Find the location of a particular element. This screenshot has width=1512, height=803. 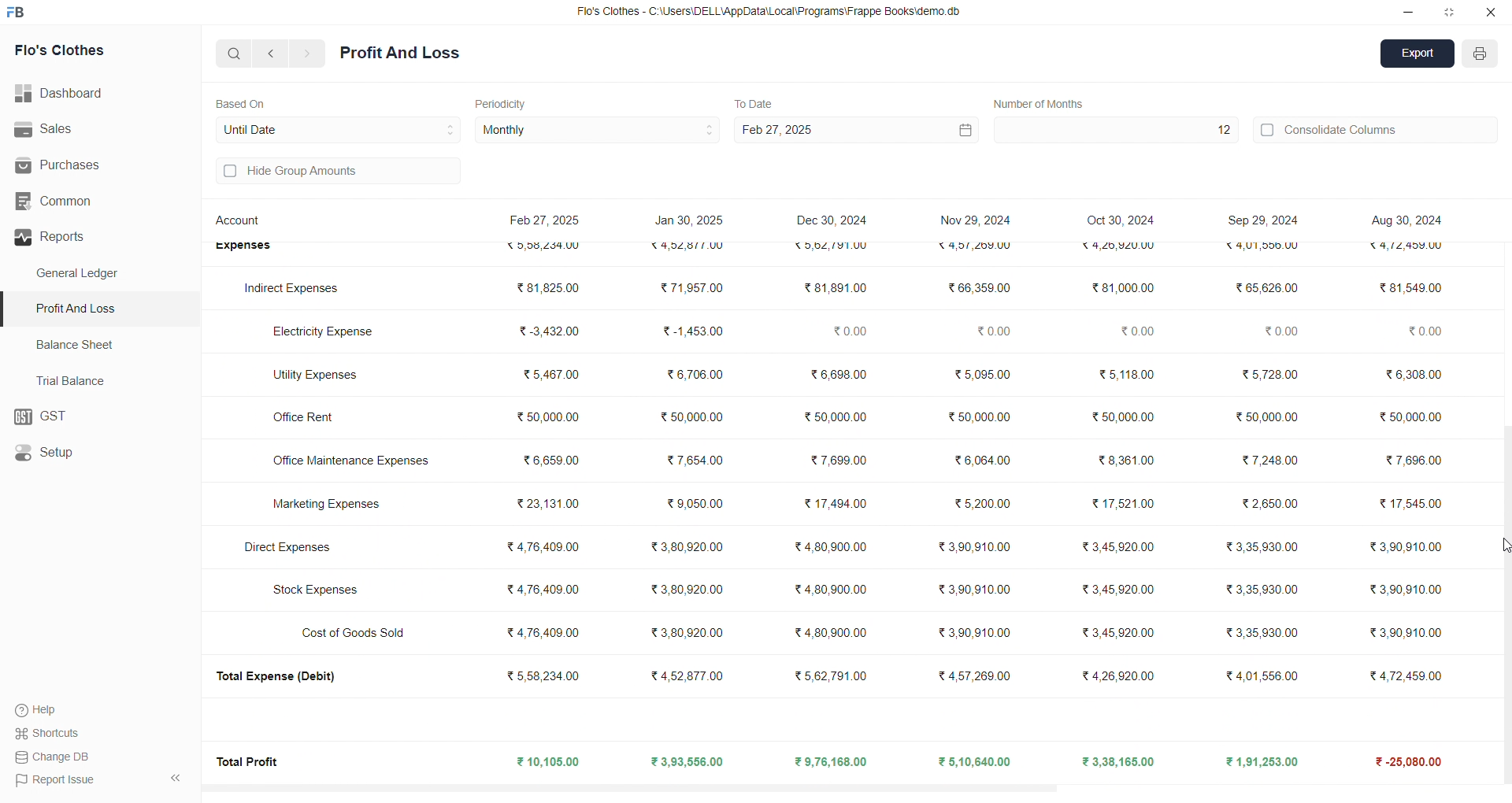

₹3,432.00 is located at coordinates (543, 331).